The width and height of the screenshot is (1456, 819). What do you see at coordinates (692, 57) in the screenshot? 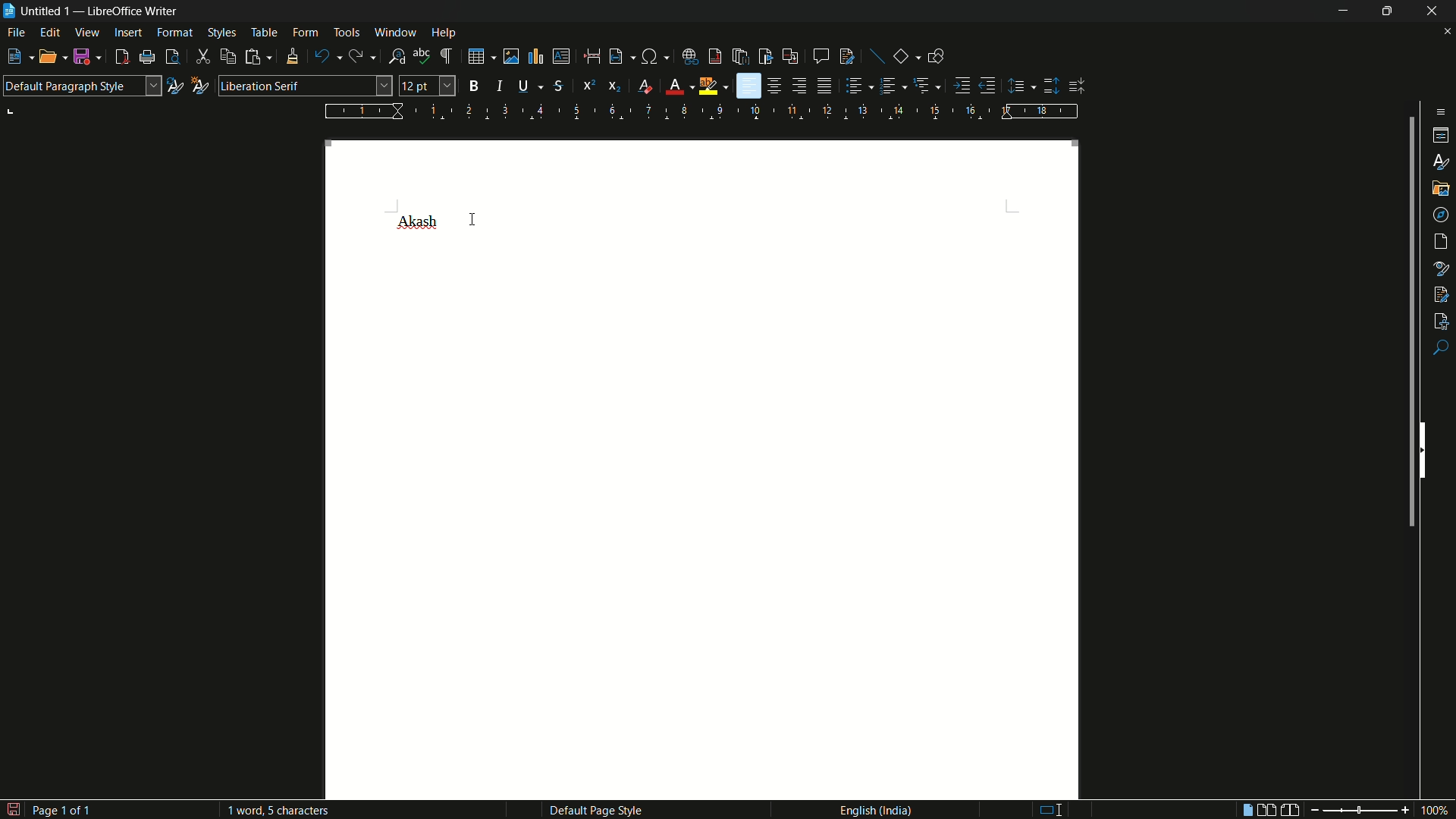
I see `insert hyperlink` at bounding box center [692, 57].